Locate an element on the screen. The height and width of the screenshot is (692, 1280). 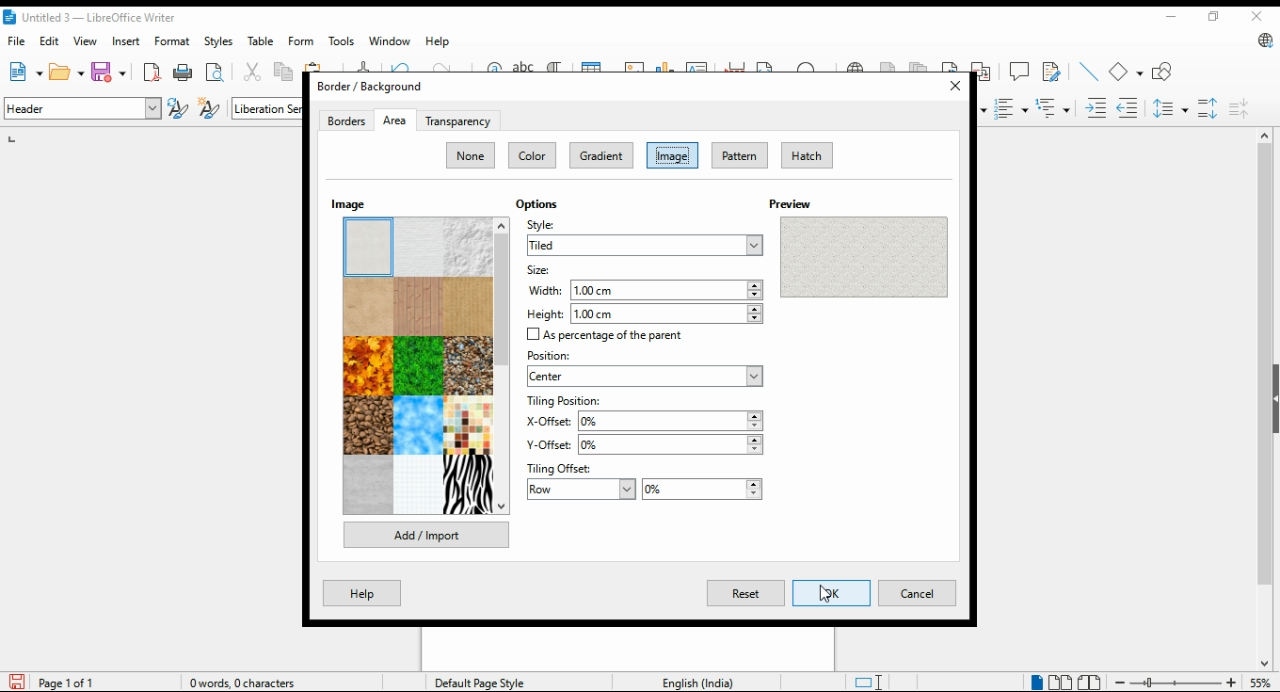
image option 7 is located at coordinates (367, 366).